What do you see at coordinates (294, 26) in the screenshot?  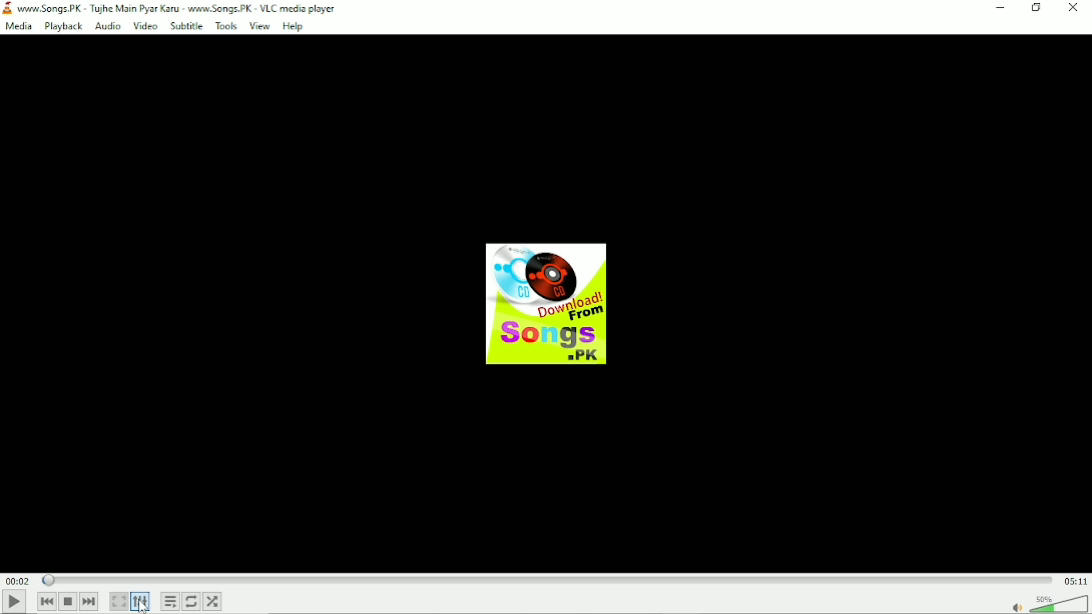 I see `Help` at bounding box center [294, 26].